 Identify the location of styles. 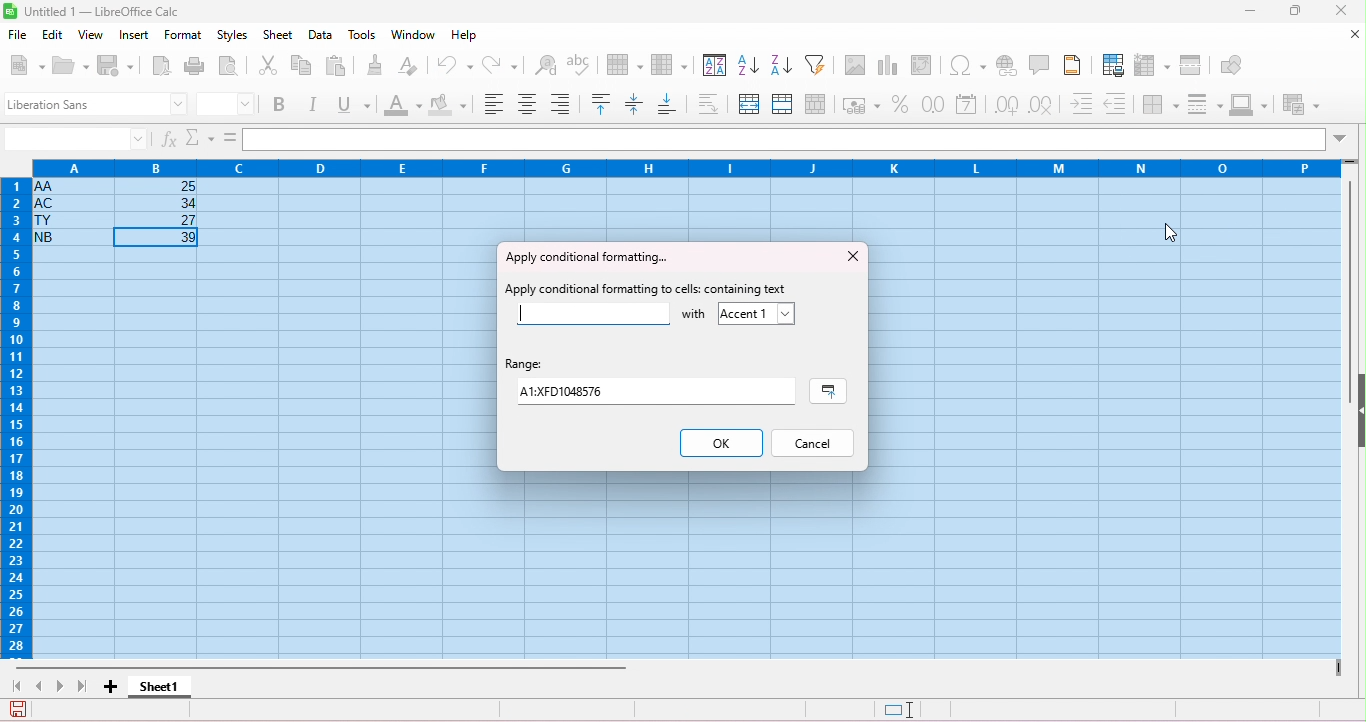
(236, 37).